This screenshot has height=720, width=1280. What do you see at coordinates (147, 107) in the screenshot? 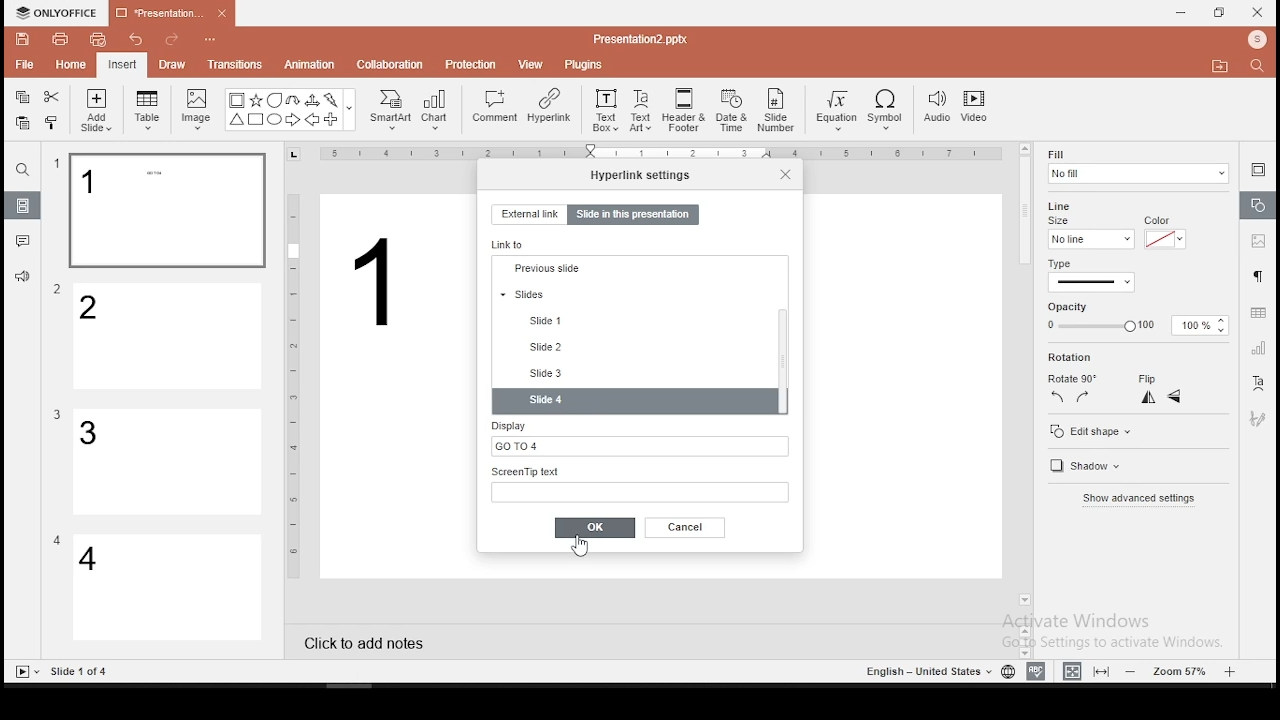
I see `table` at bounding box center [147, 107].